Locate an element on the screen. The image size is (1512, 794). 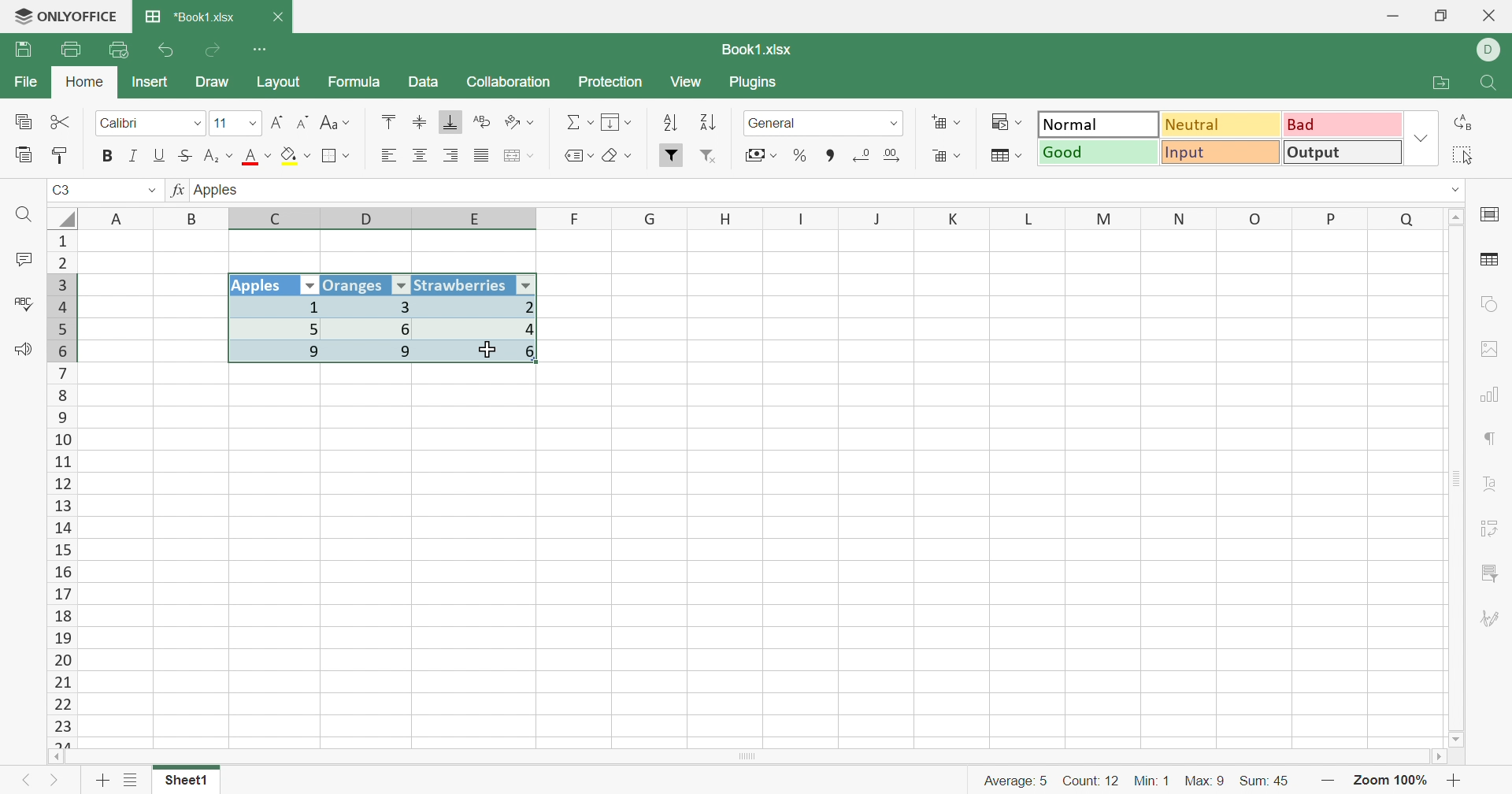
Align Top is located at coordinates (386, 121).